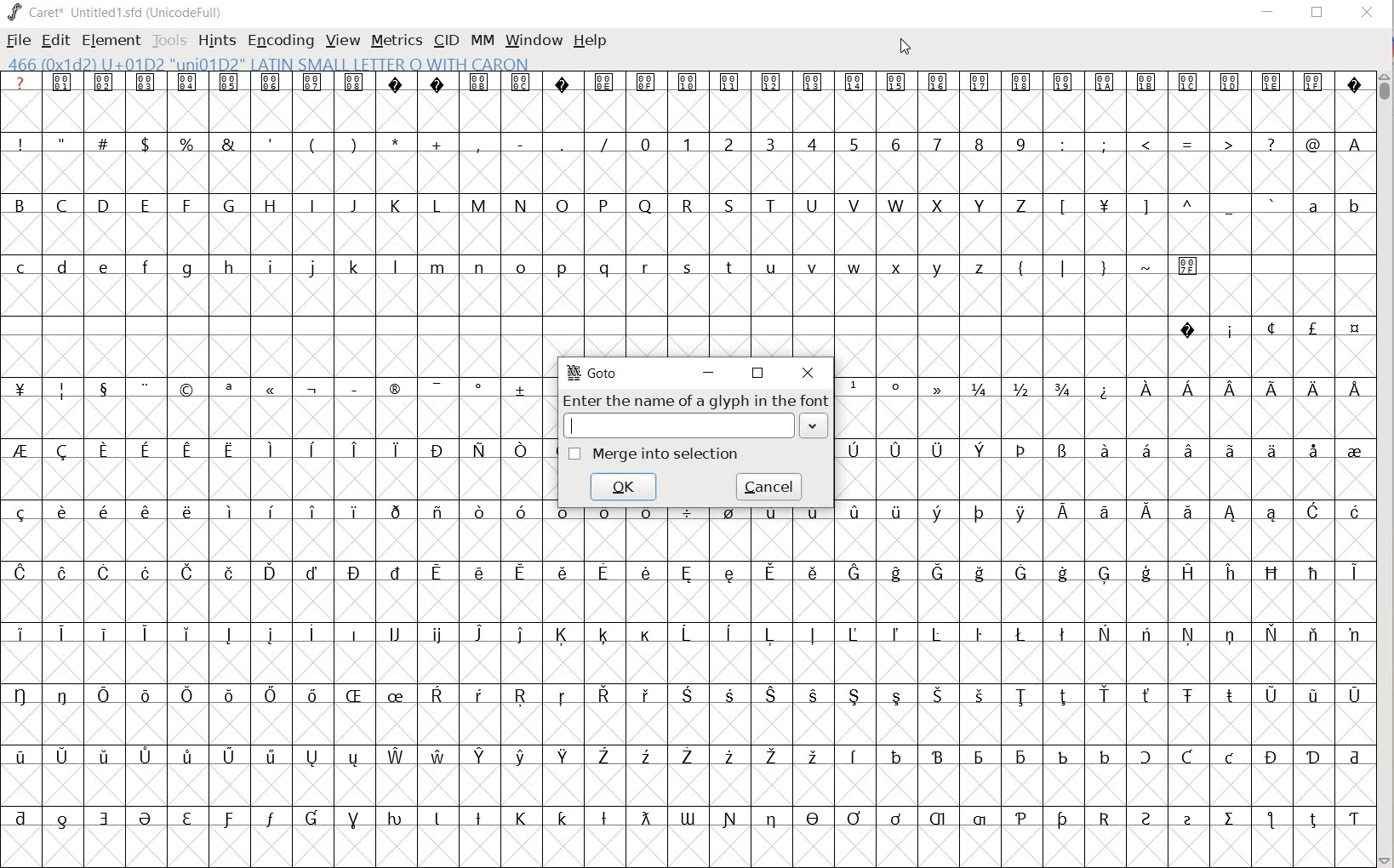 Image resolution: width=1394 pixels, height=868 pixels. What do you see at coordinates (1106, 440) in the screenshot?
I see `glyph characters` at bounding box center [1106, 440].